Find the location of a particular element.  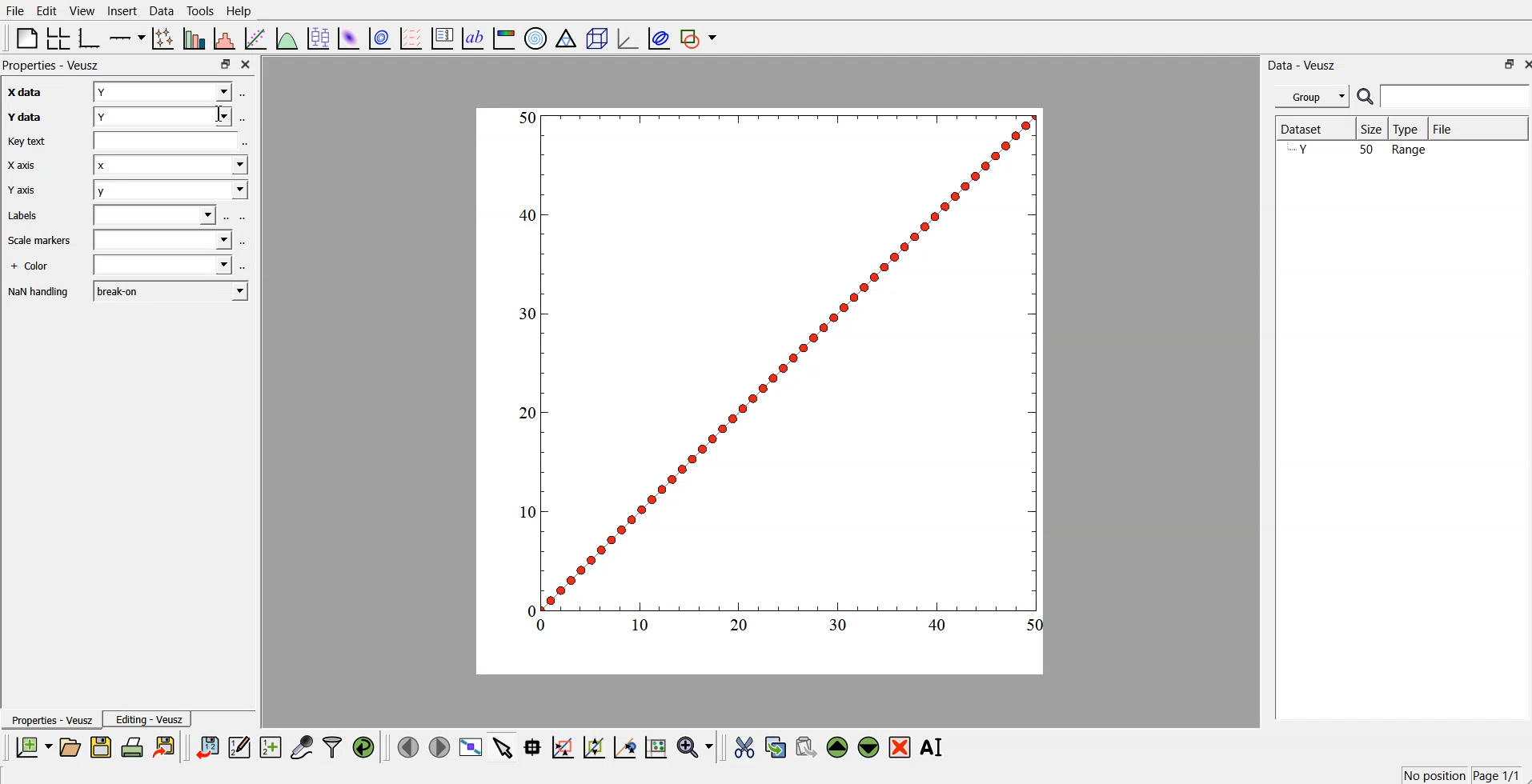

move to previous page is located at coordinates (409, 746).